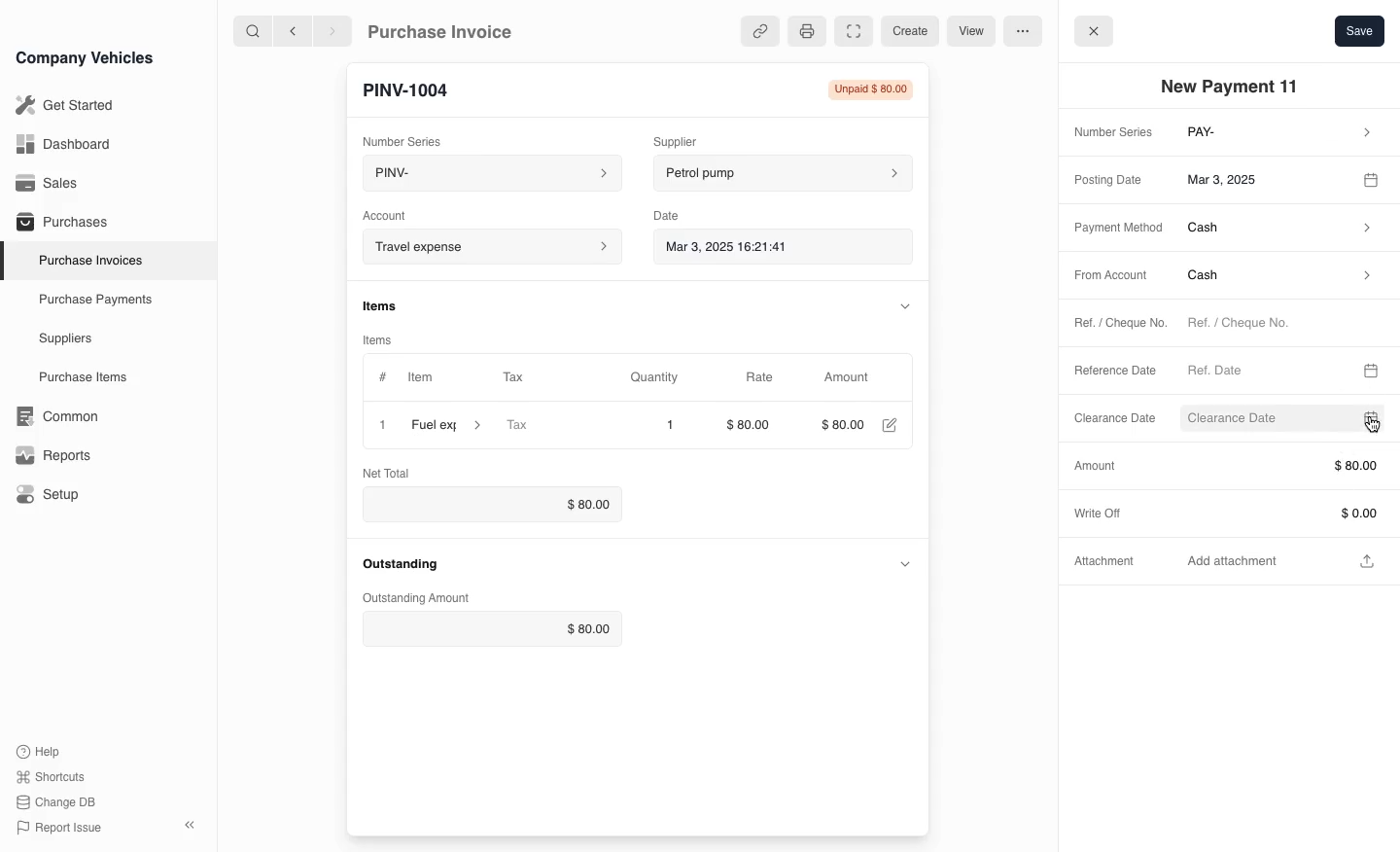 Image resolution: width=1400 pixels, height=852 pixels. Describe the element at coordinates (388, 337) in the screenshot. I see `items` at that location.